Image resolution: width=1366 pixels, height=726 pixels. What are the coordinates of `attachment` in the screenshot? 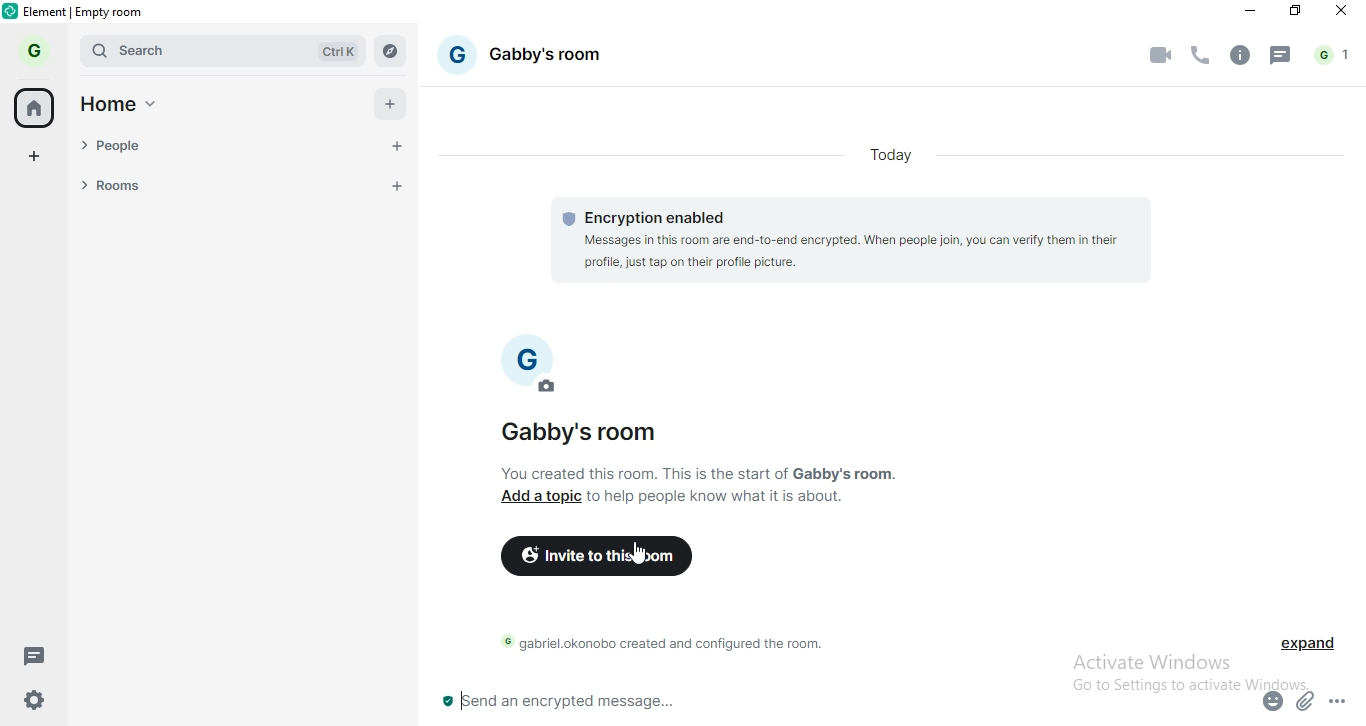 It's located at (1307, 703).